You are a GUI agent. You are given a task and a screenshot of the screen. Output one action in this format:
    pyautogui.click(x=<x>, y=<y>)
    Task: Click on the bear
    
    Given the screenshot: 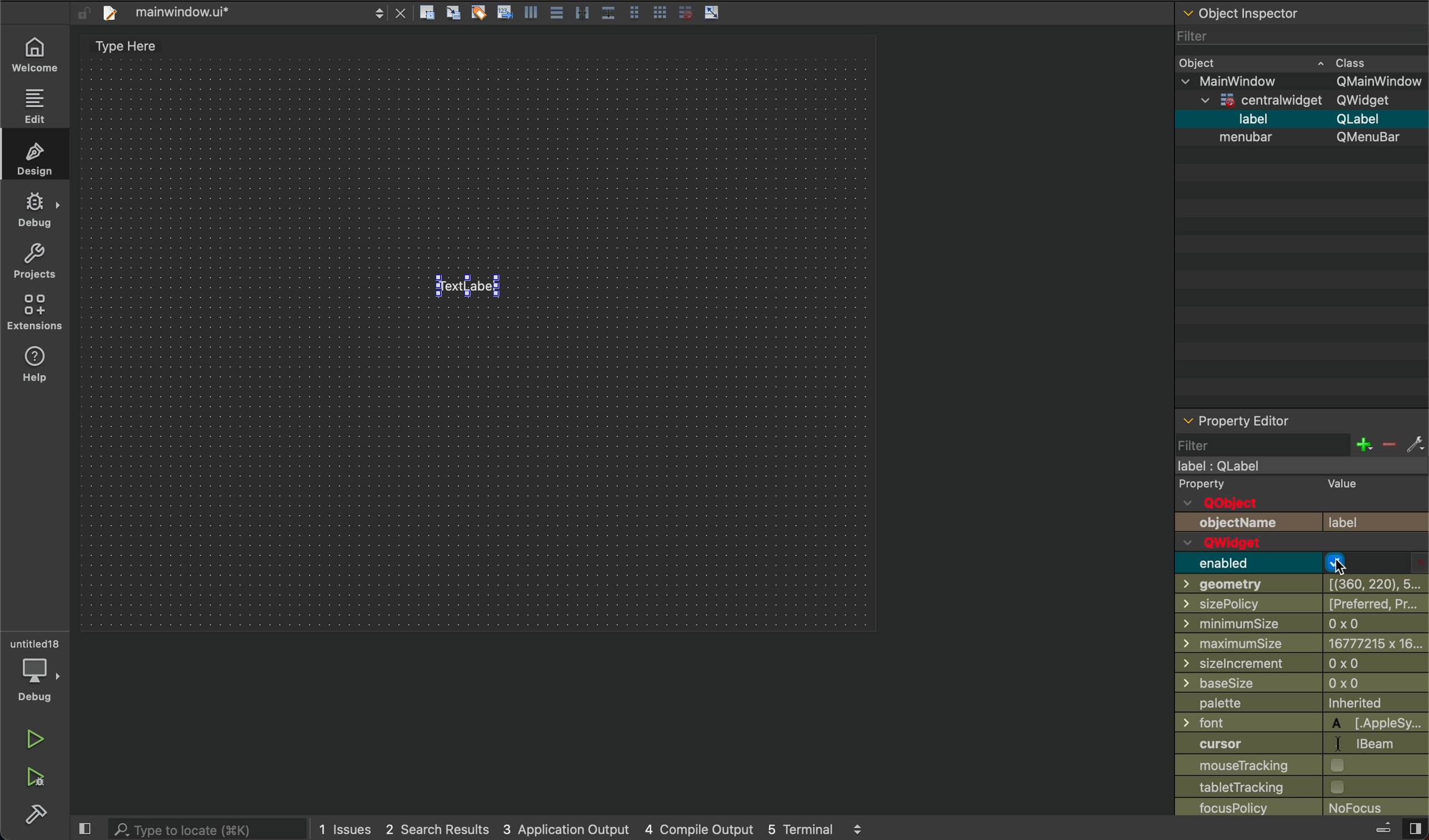 What is the action you would take?
    pyautogui.click(x=1377, y=743)
    